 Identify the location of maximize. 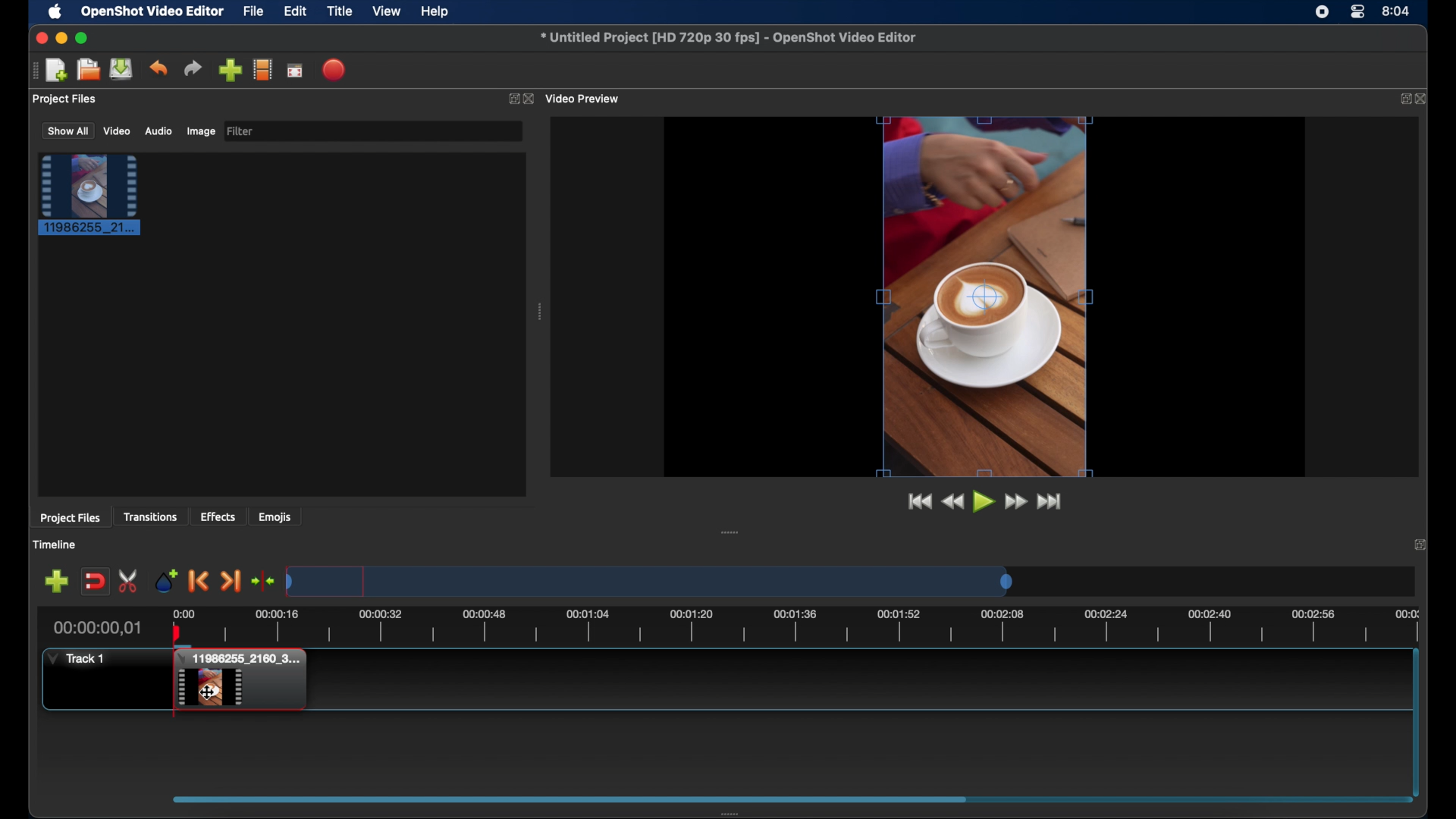
(83, 38).